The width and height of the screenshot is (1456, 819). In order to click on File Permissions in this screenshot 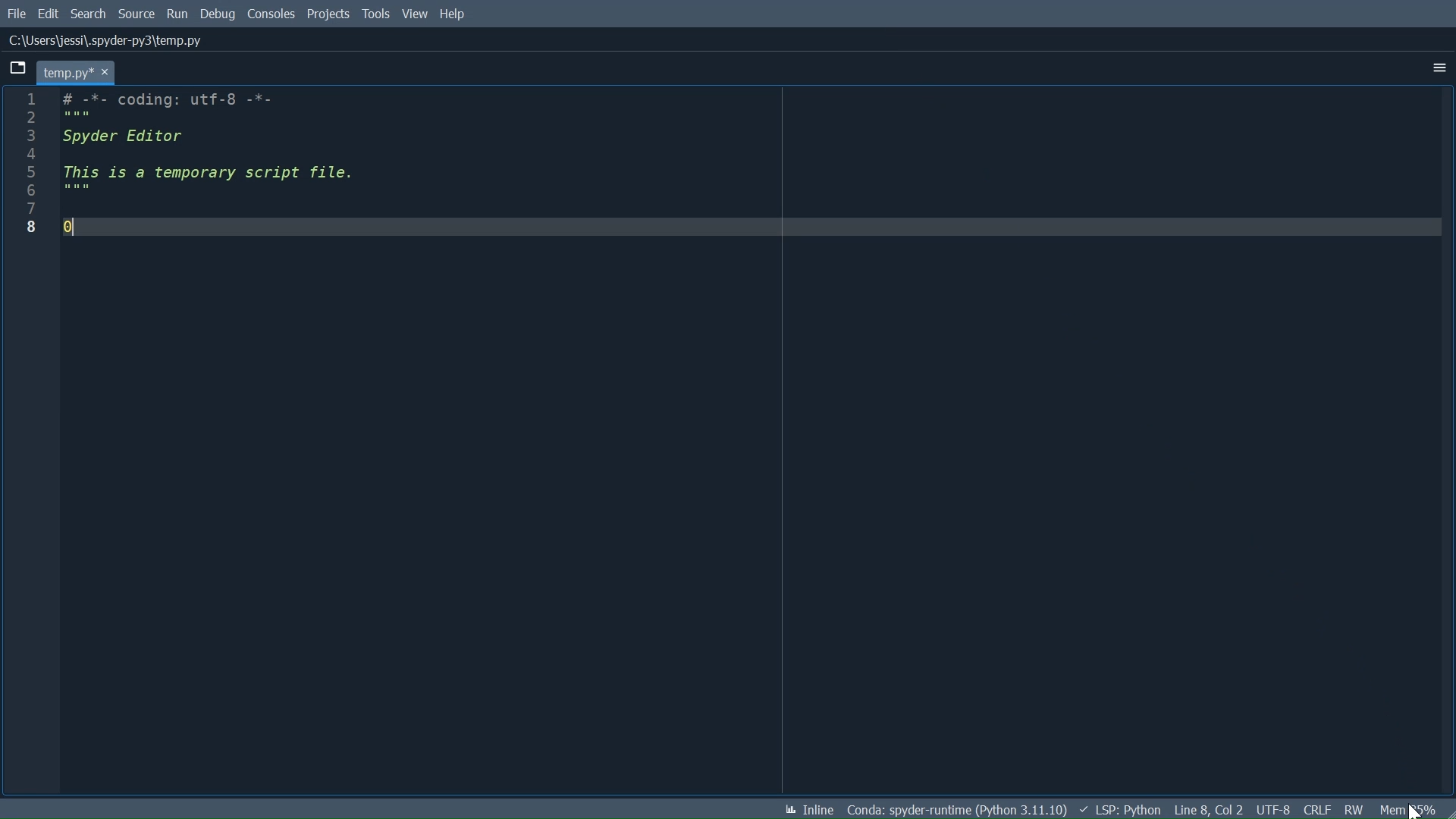, I will do `click(1354, 809)`.